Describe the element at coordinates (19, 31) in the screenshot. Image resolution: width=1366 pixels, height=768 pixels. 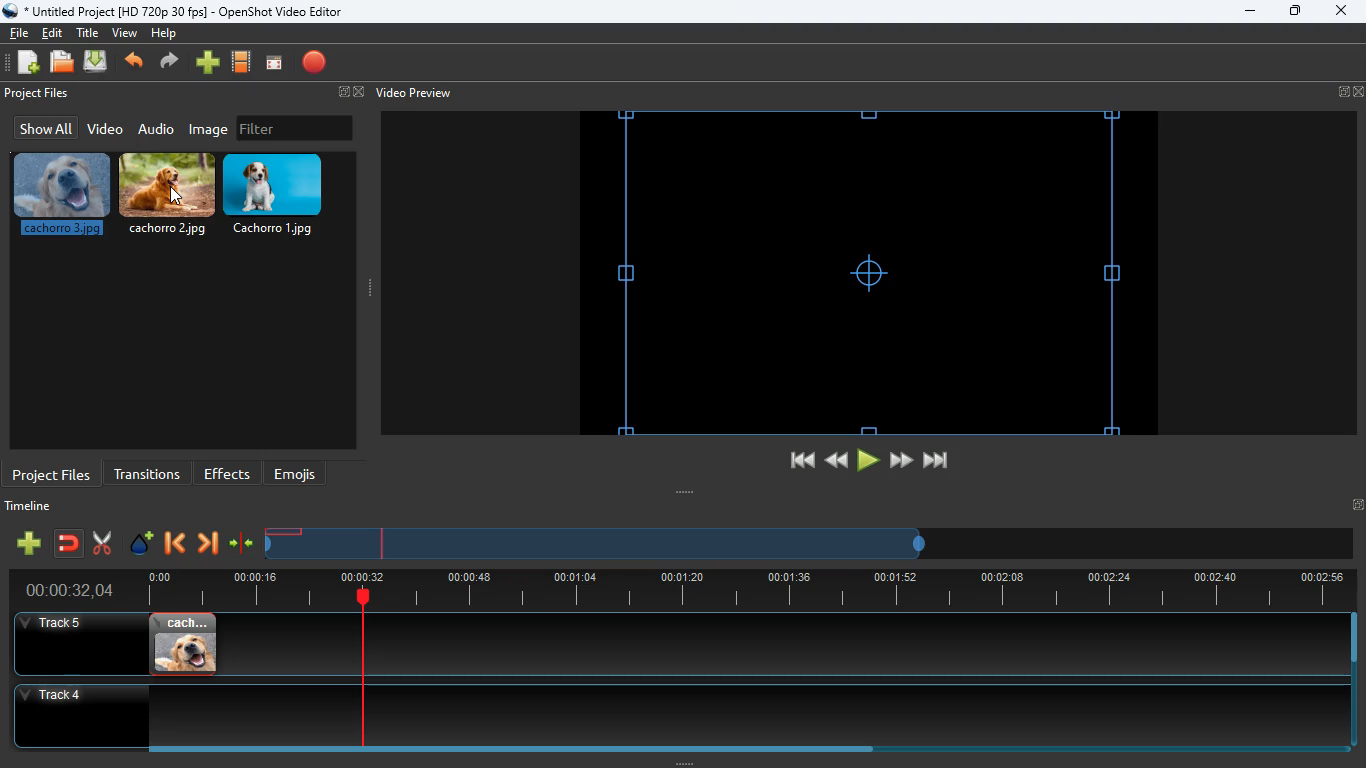
I see `file` at that location.